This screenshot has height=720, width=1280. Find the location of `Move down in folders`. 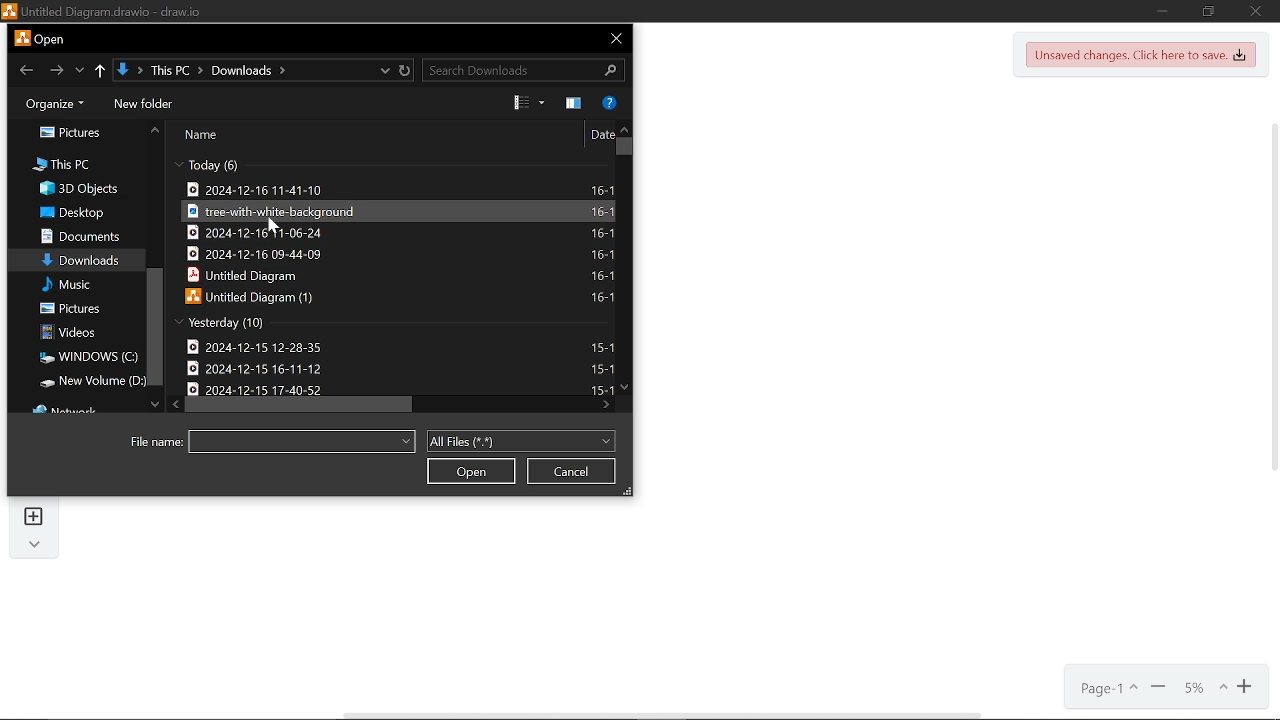

Move down in folders is located at coordinates (154, 406).